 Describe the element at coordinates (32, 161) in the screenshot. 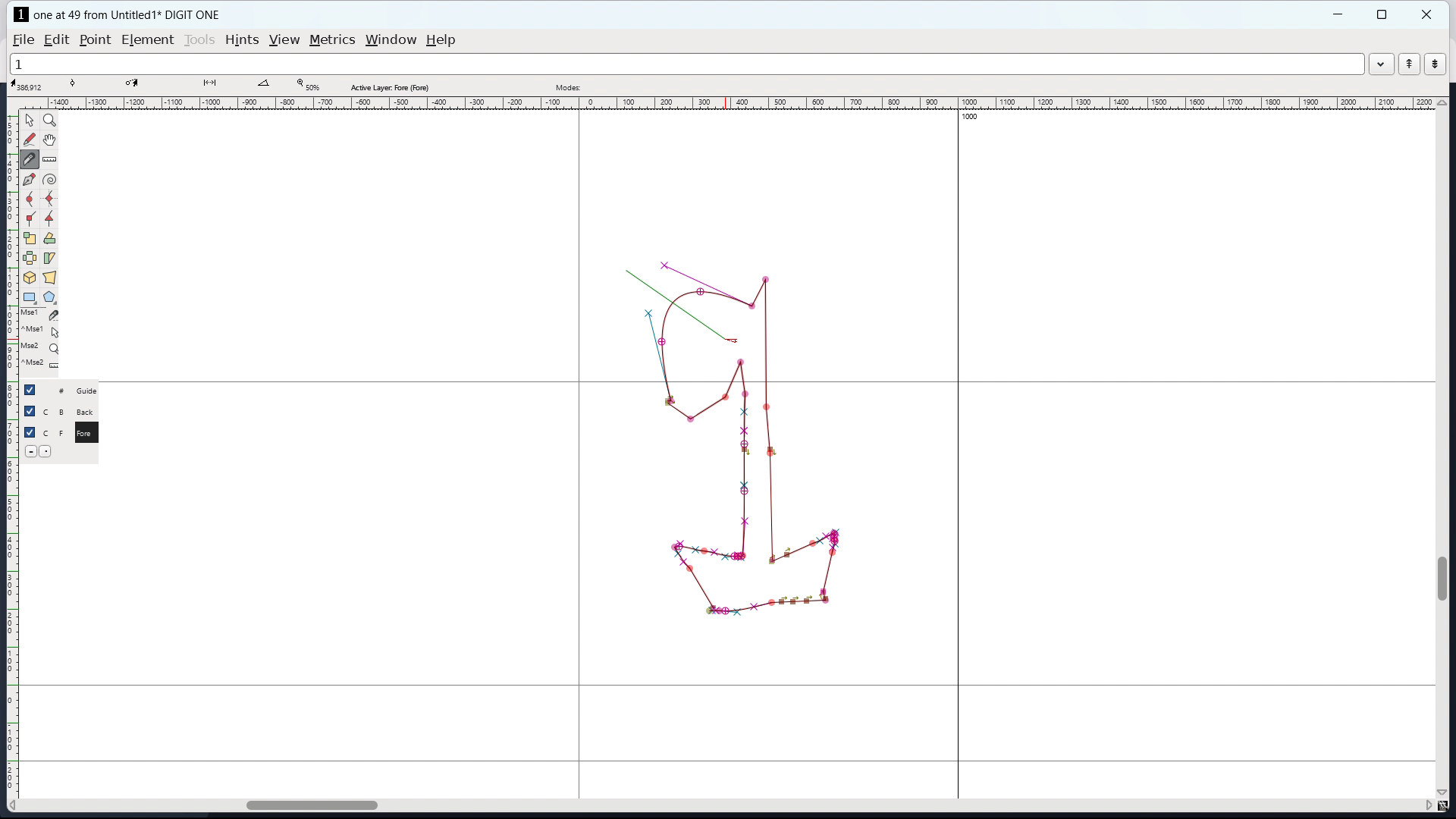

I see `cut splines in two` at that location.